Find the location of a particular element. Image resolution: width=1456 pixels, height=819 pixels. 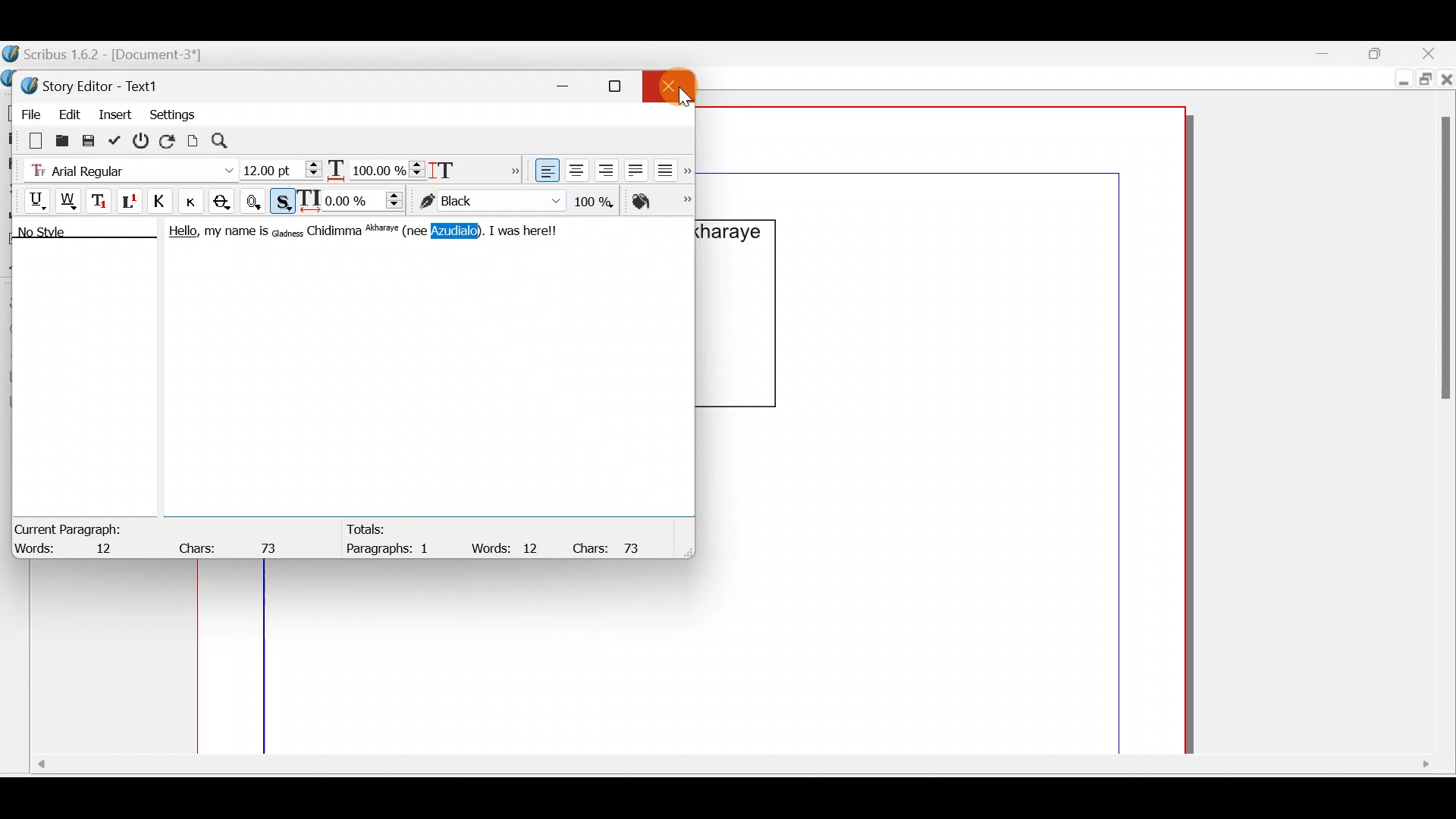

Cursor is located at coordinates (672, 88).